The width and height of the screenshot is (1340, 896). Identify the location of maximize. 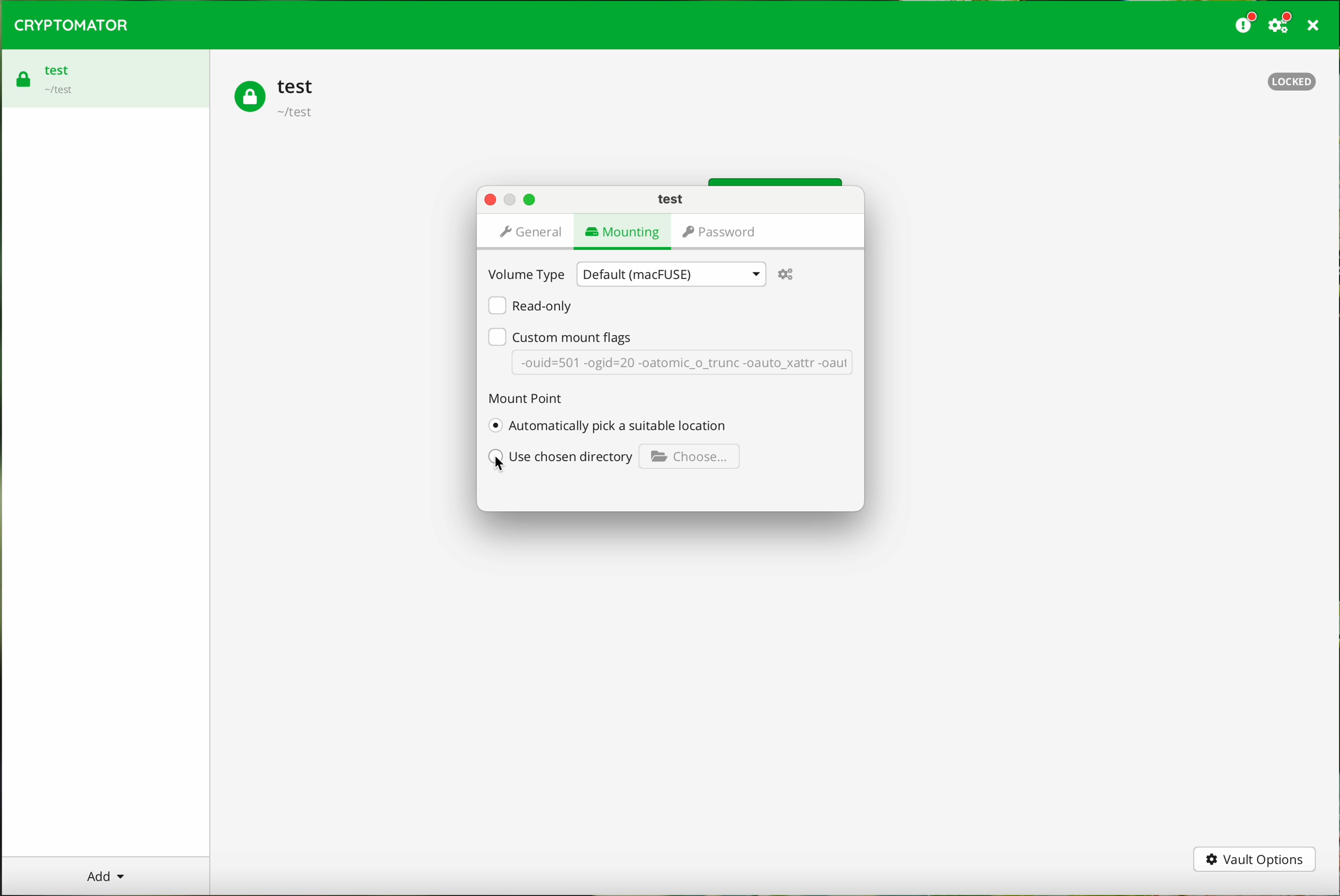
(530, 200).